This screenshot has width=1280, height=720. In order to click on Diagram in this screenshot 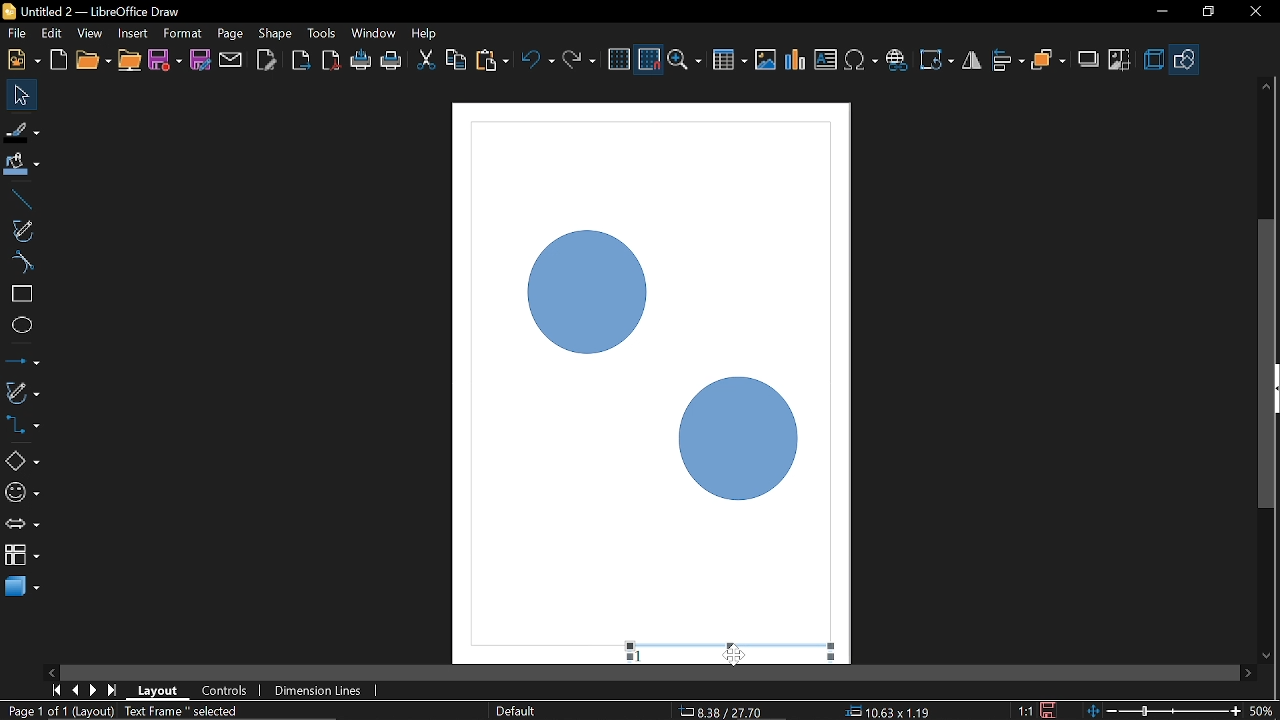, I will do `click(654, 361)`.